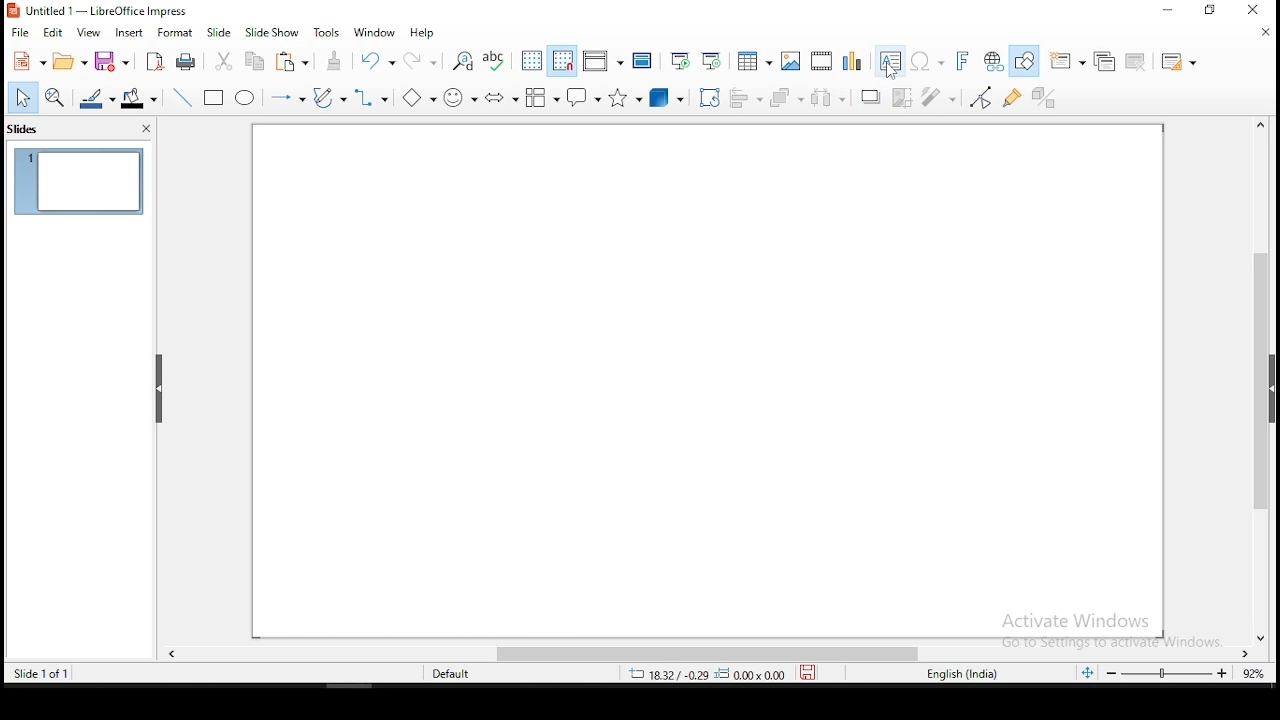  I want to click on close window, so click(1249, 9).